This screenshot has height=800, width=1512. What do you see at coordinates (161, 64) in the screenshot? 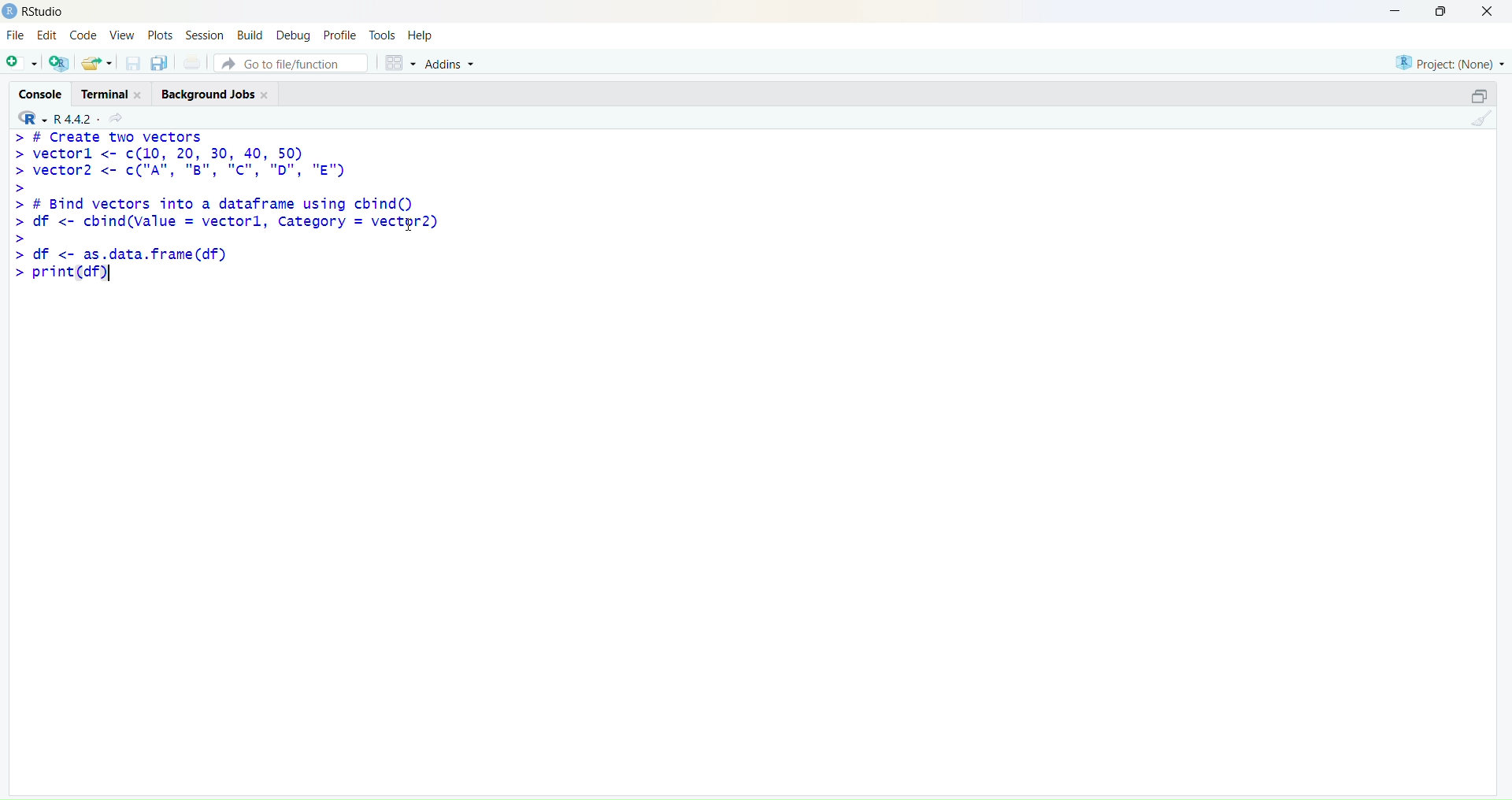
I see `save all open document` at bounding box center [161, 64].